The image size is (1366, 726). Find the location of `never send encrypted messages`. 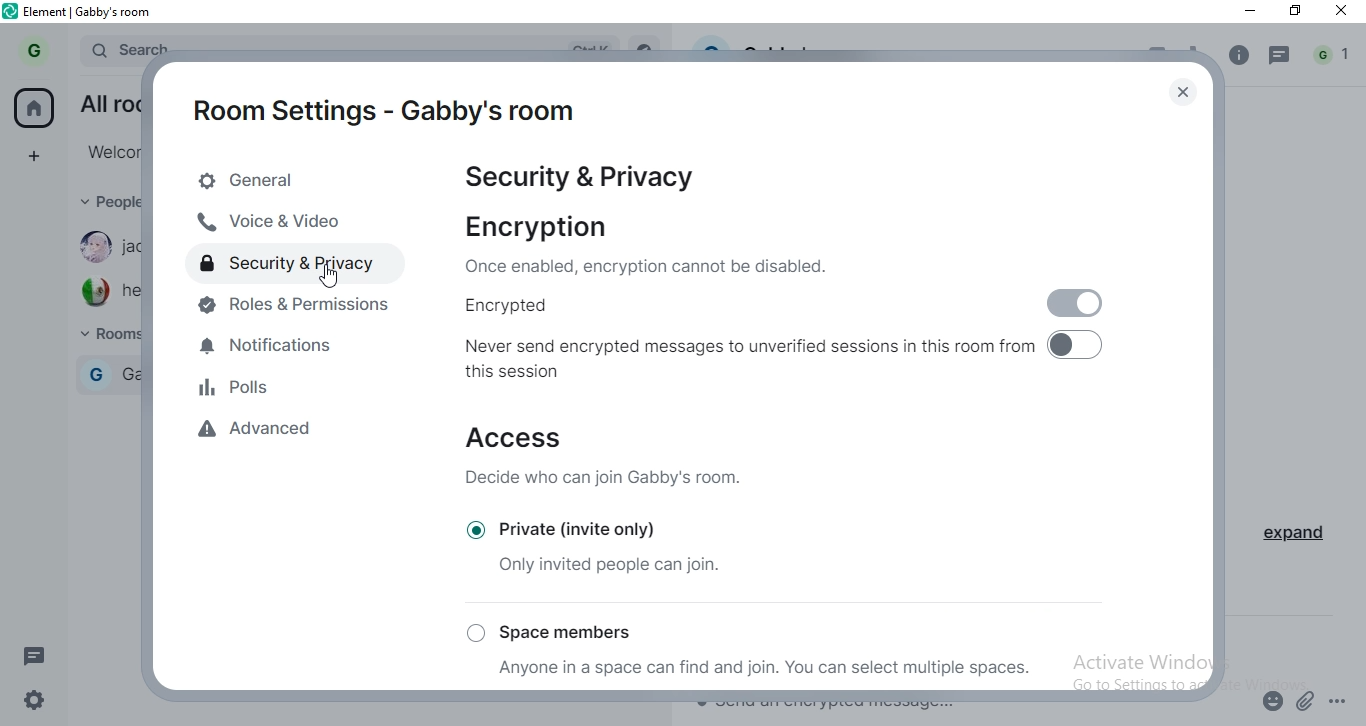

never send encrypted messages is located at coordinates (749, 362).